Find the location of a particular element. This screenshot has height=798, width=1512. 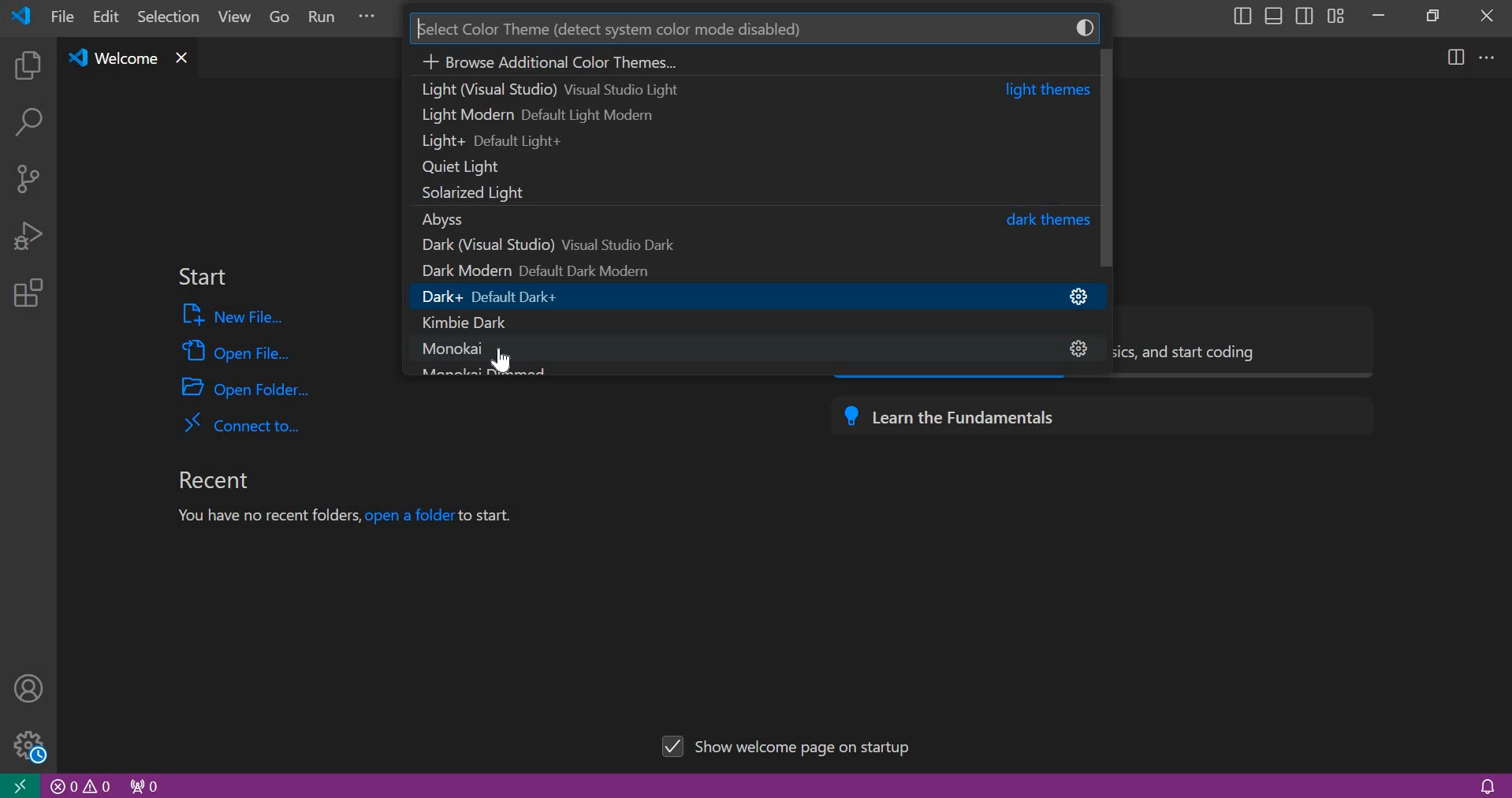

close is located at coordinates (1488, 15).